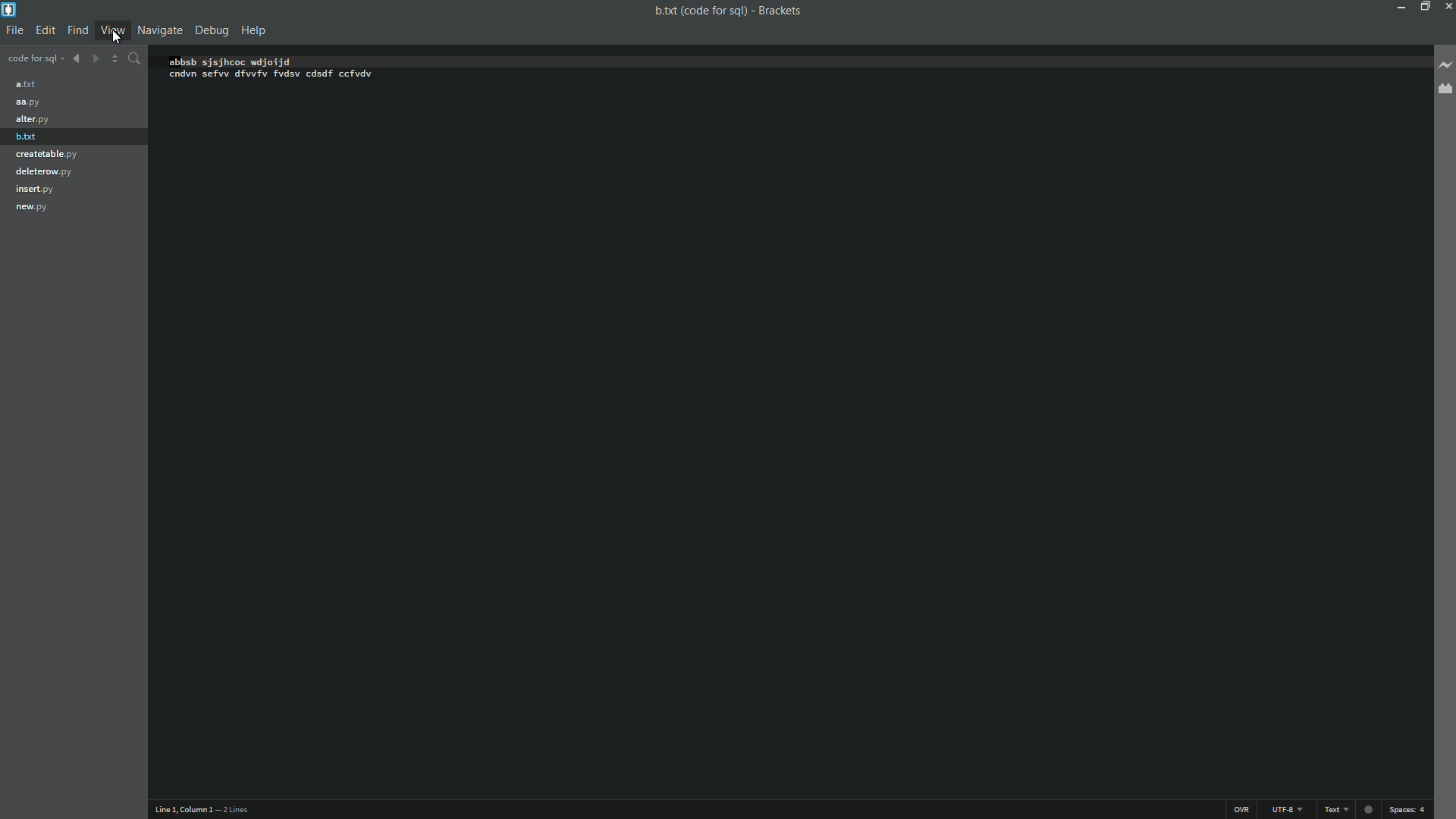 Image resolution: width=1456 pixels, height=819 pixels. What do you see at coordinates (31, 85) in the screenshot?
I see `a.txt` at bounding box center [31, 85].